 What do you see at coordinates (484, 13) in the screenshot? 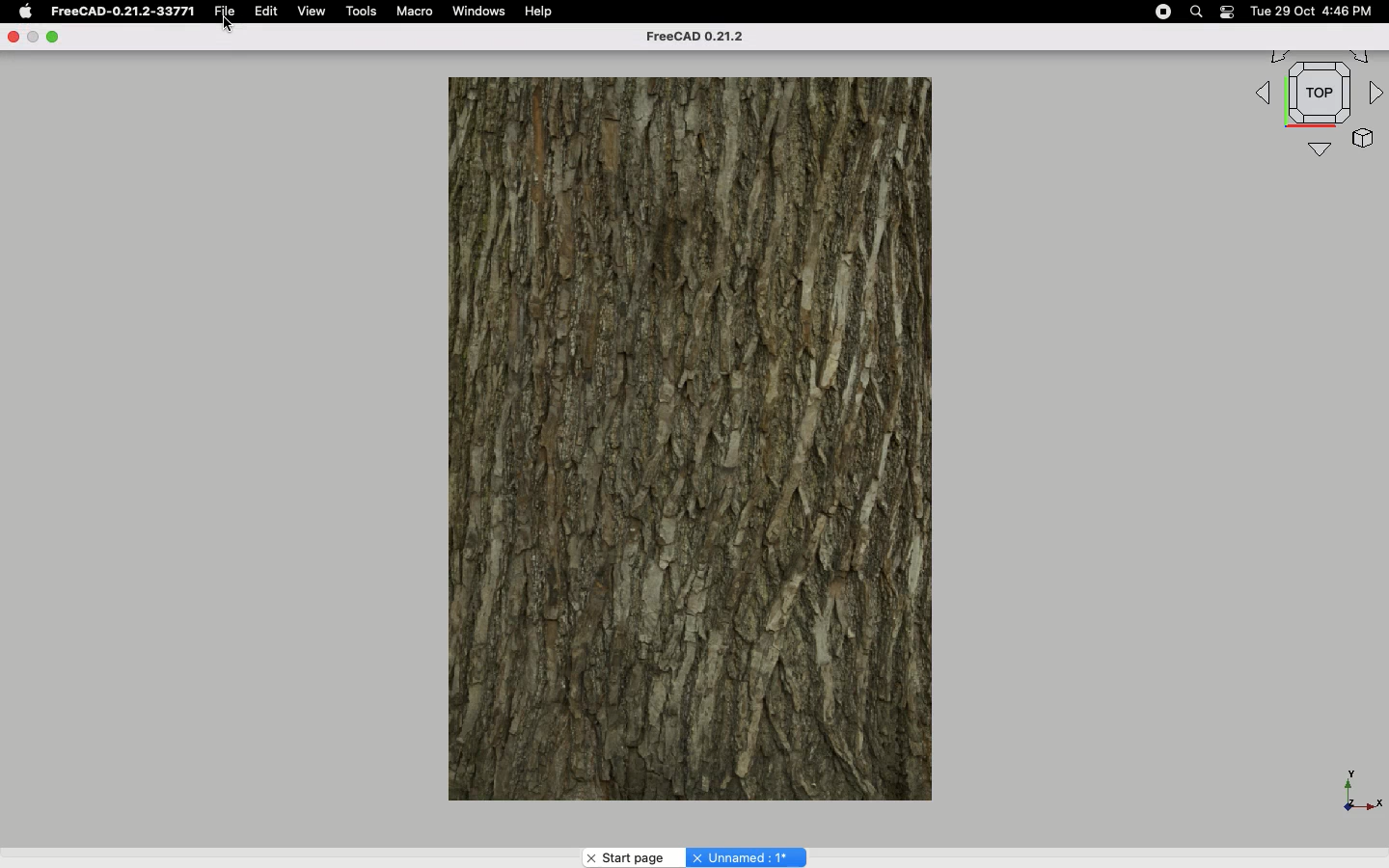
I see `Windows` at bounding box center [484, 13].